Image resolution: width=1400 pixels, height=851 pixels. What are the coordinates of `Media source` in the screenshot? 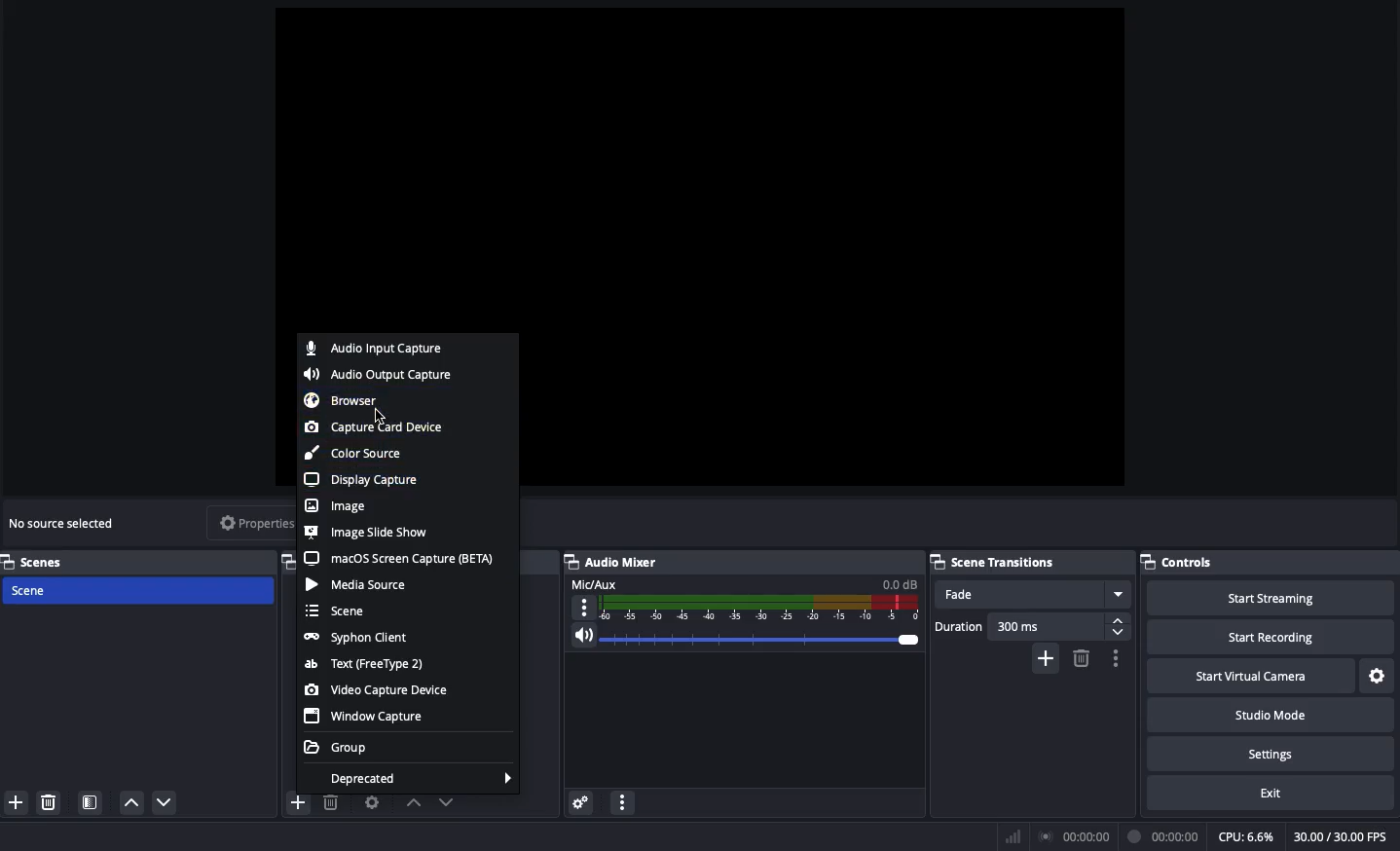 It's located at (357, 584).